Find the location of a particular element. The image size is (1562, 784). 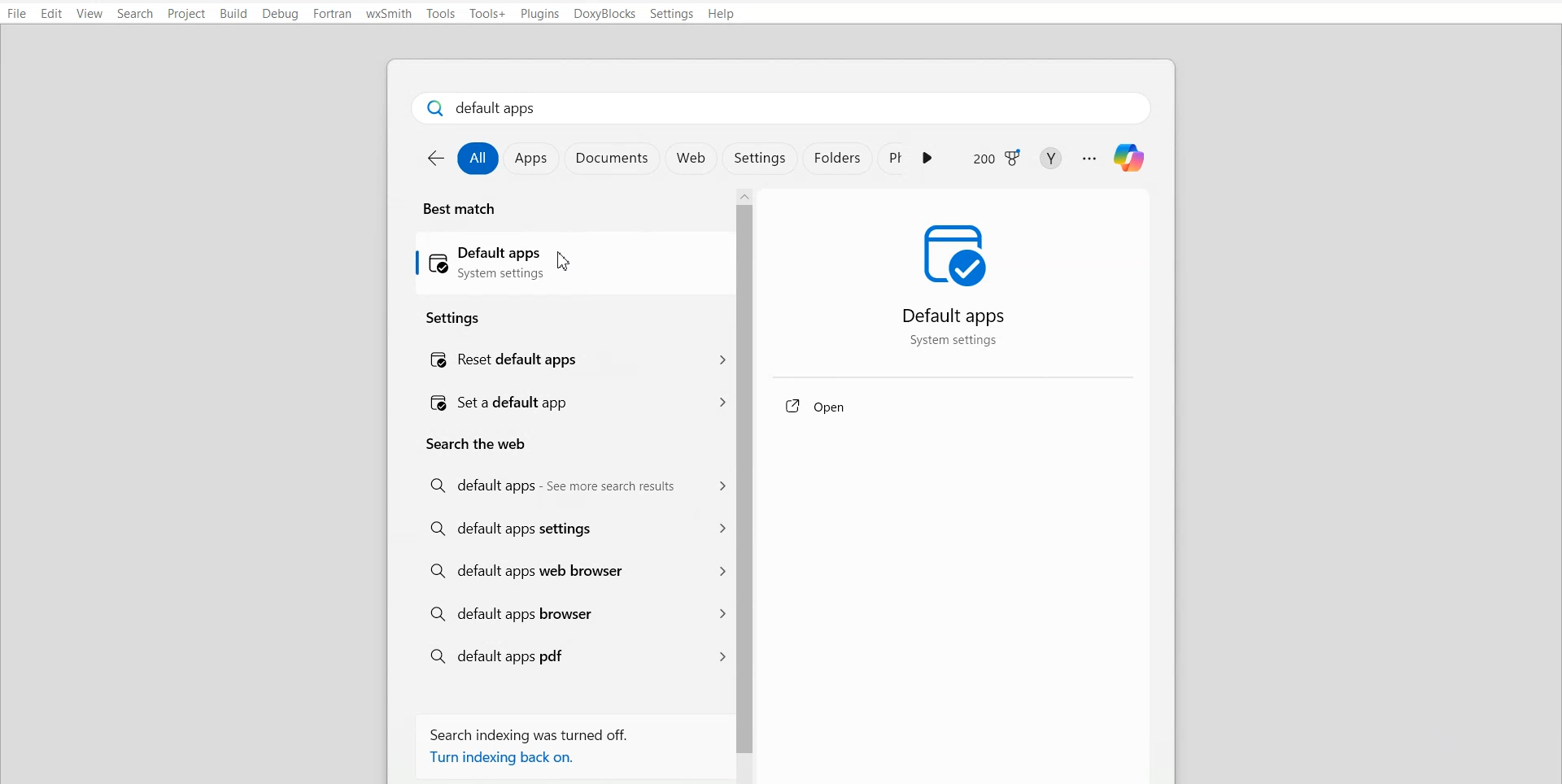

Text is located at coordinates (528, 744).